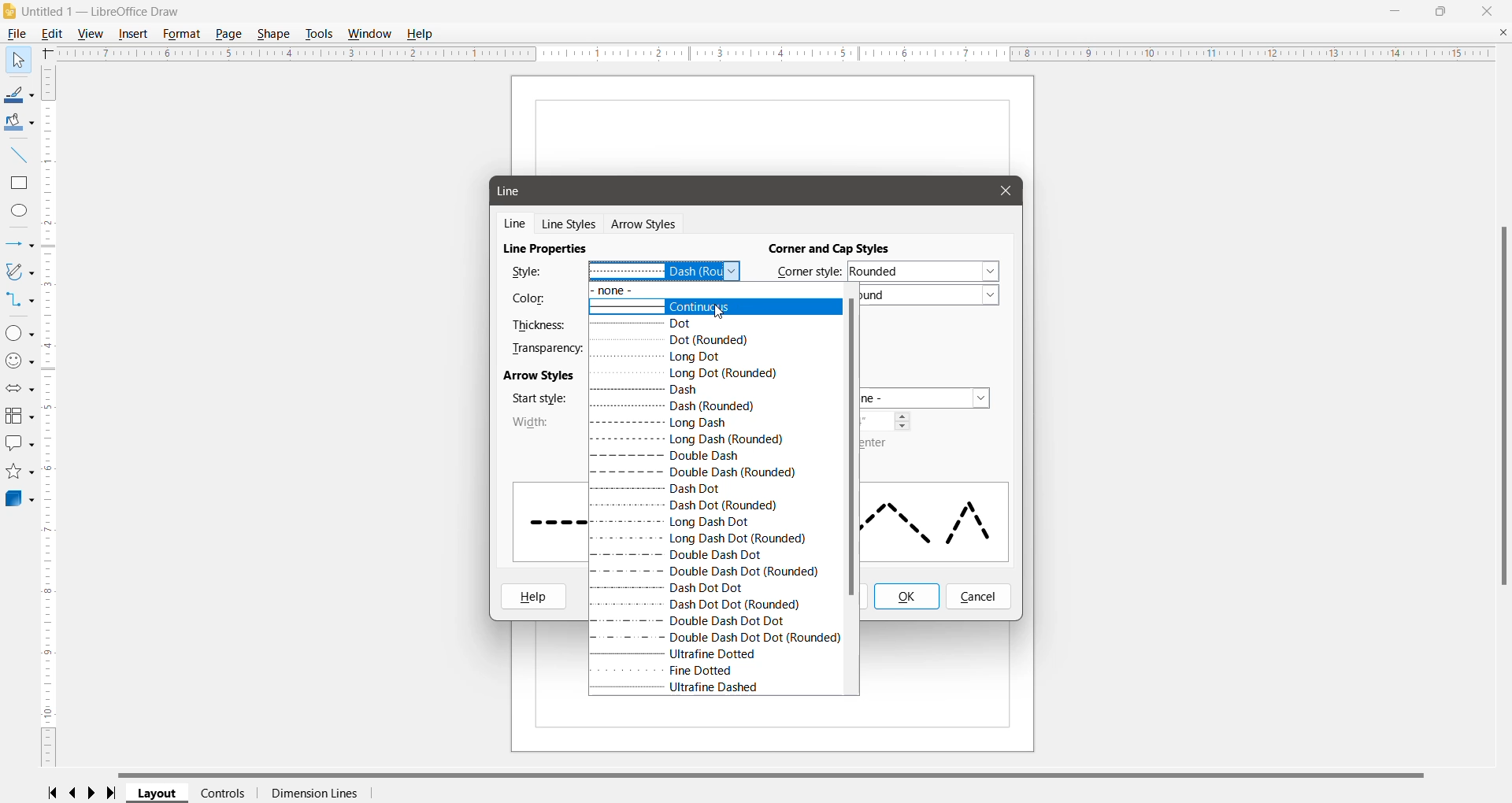 Image resolution: width=1512 pixels, height=803 pixels. Describe the element at coordinates (9, 13) in the screenshot. I see `Application Logo` at that location.